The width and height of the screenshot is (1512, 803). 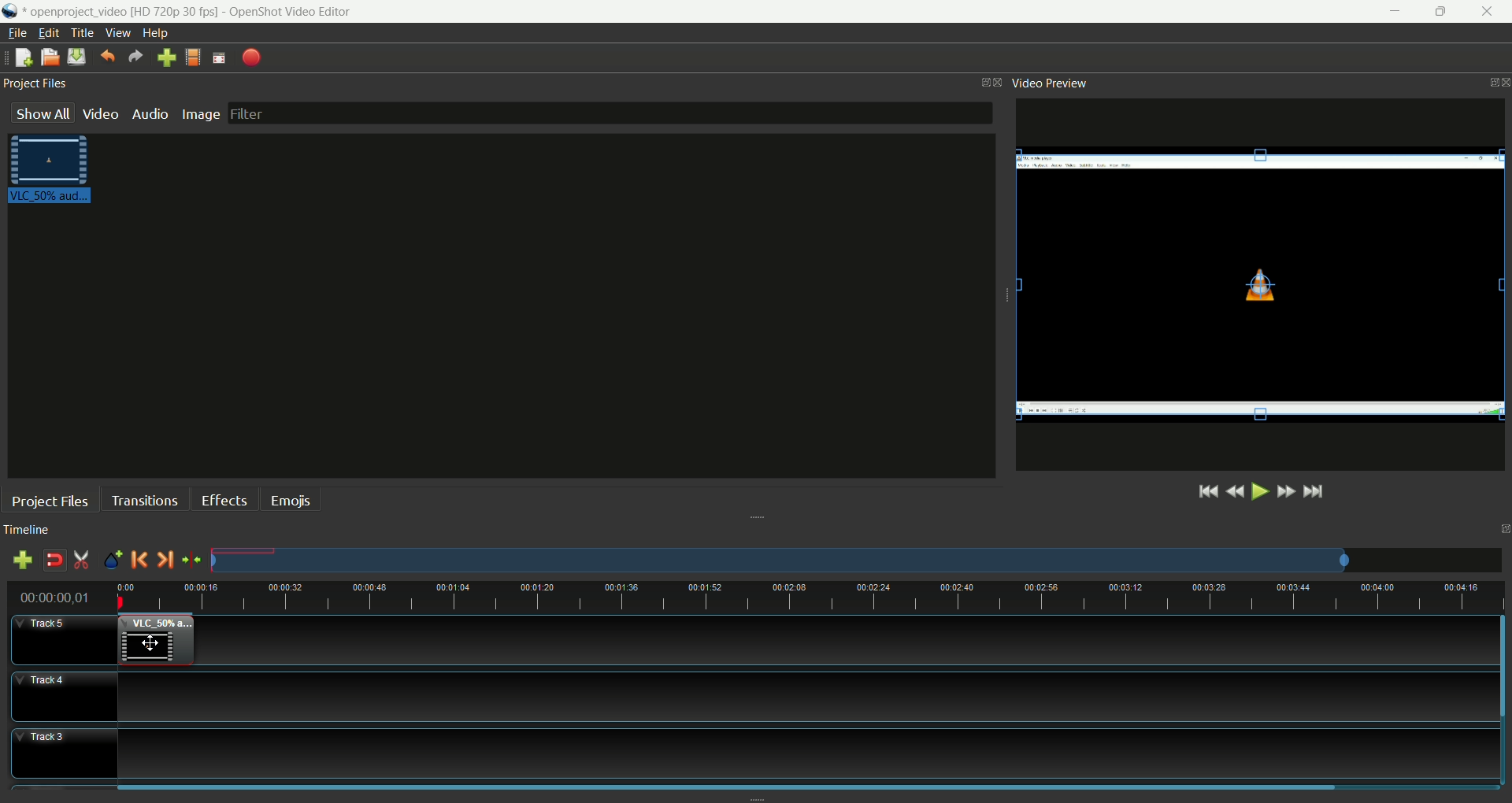 I want to click on jump to end, so click(x=1316, y=492).